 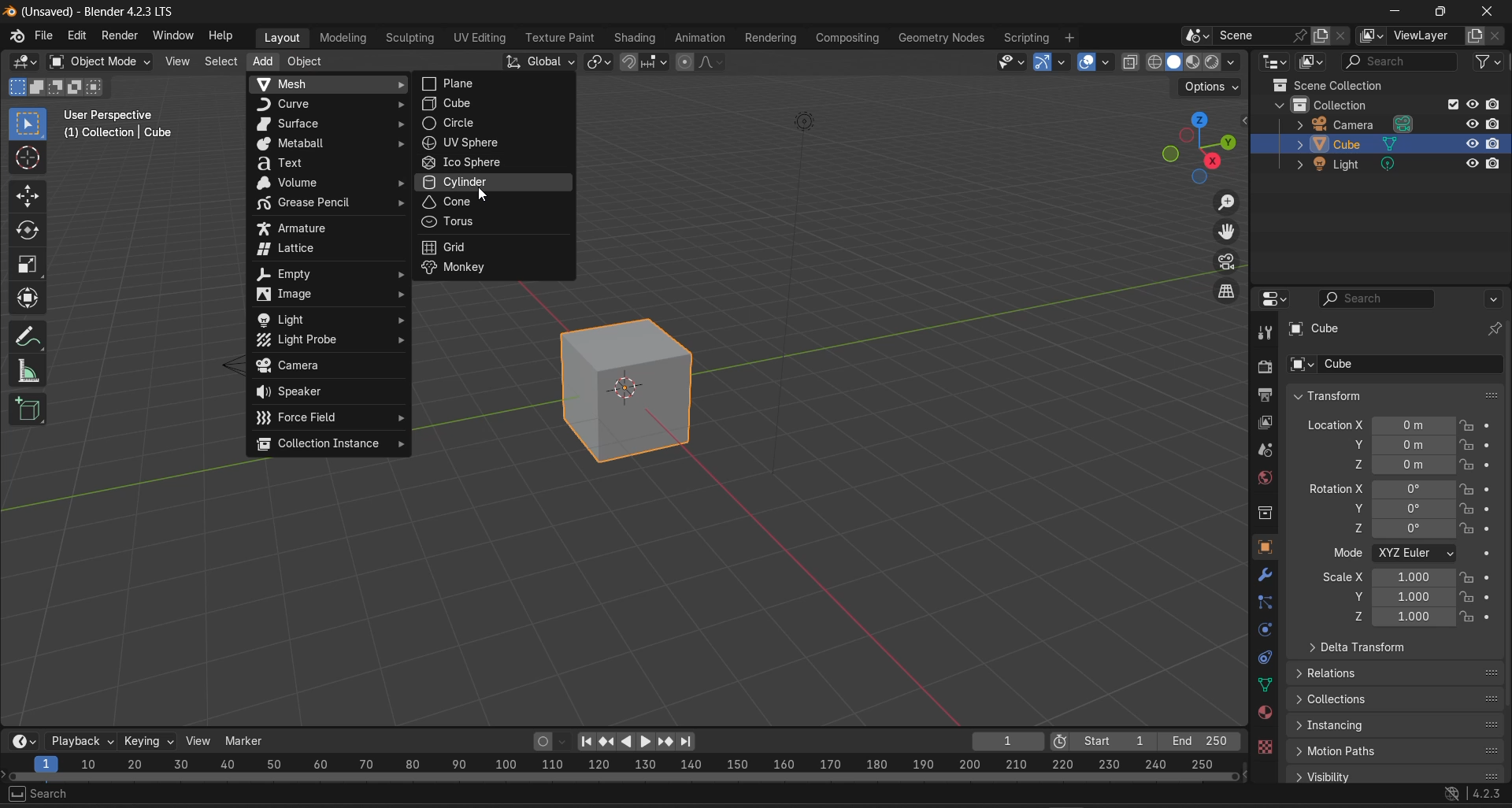 What do you see at coordinates (1266, 547) in the screenshot?
I see `object` at bounding box center [1266, 547].